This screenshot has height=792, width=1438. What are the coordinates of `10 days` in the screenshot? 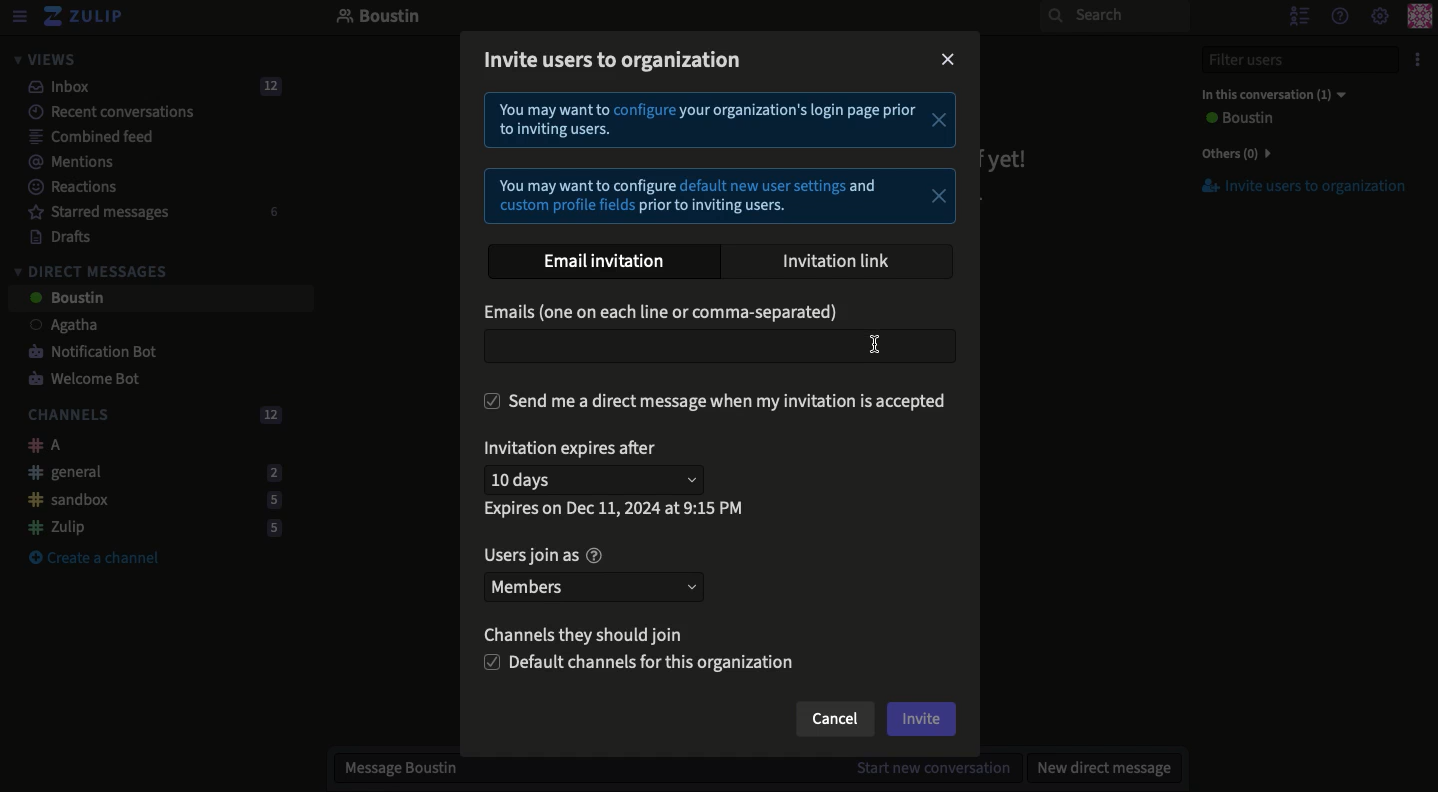 It's located at (598, 480).